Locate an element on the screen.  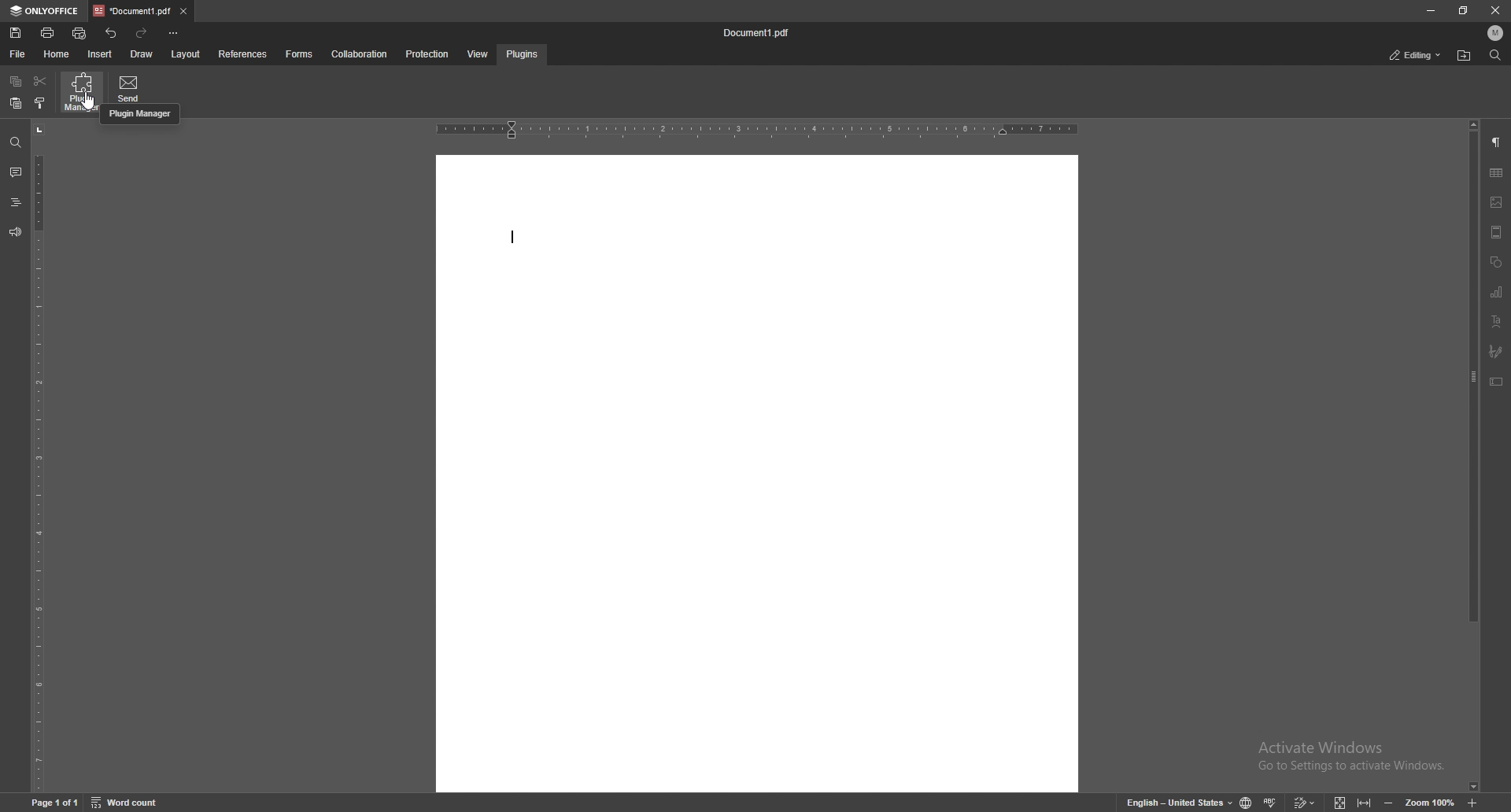
customize toolbar is located at coordinates (173, 34).